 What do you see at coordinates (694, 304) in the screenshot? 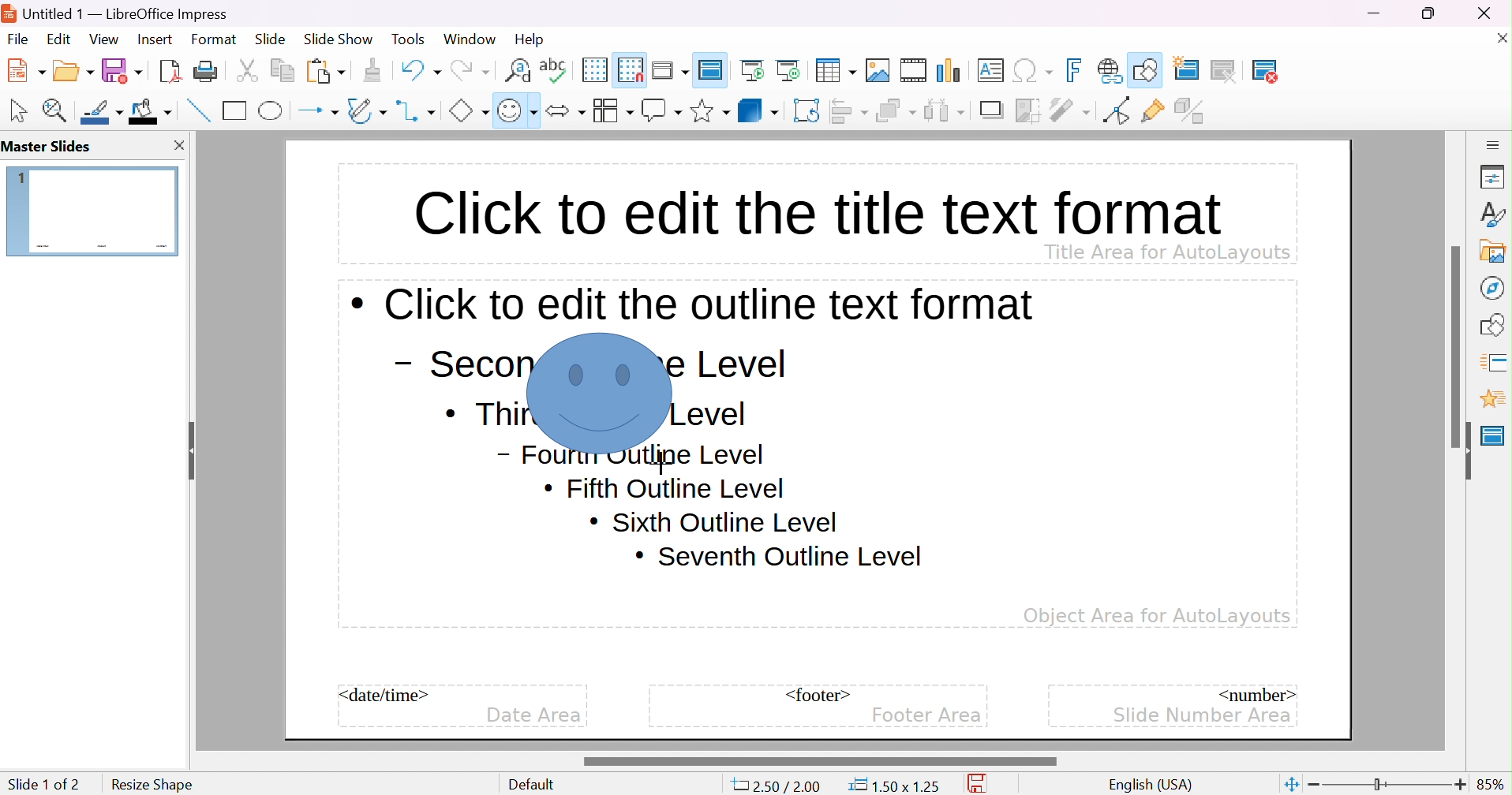
I see `click to edit the outline text format` at bounding box center [694, 304].